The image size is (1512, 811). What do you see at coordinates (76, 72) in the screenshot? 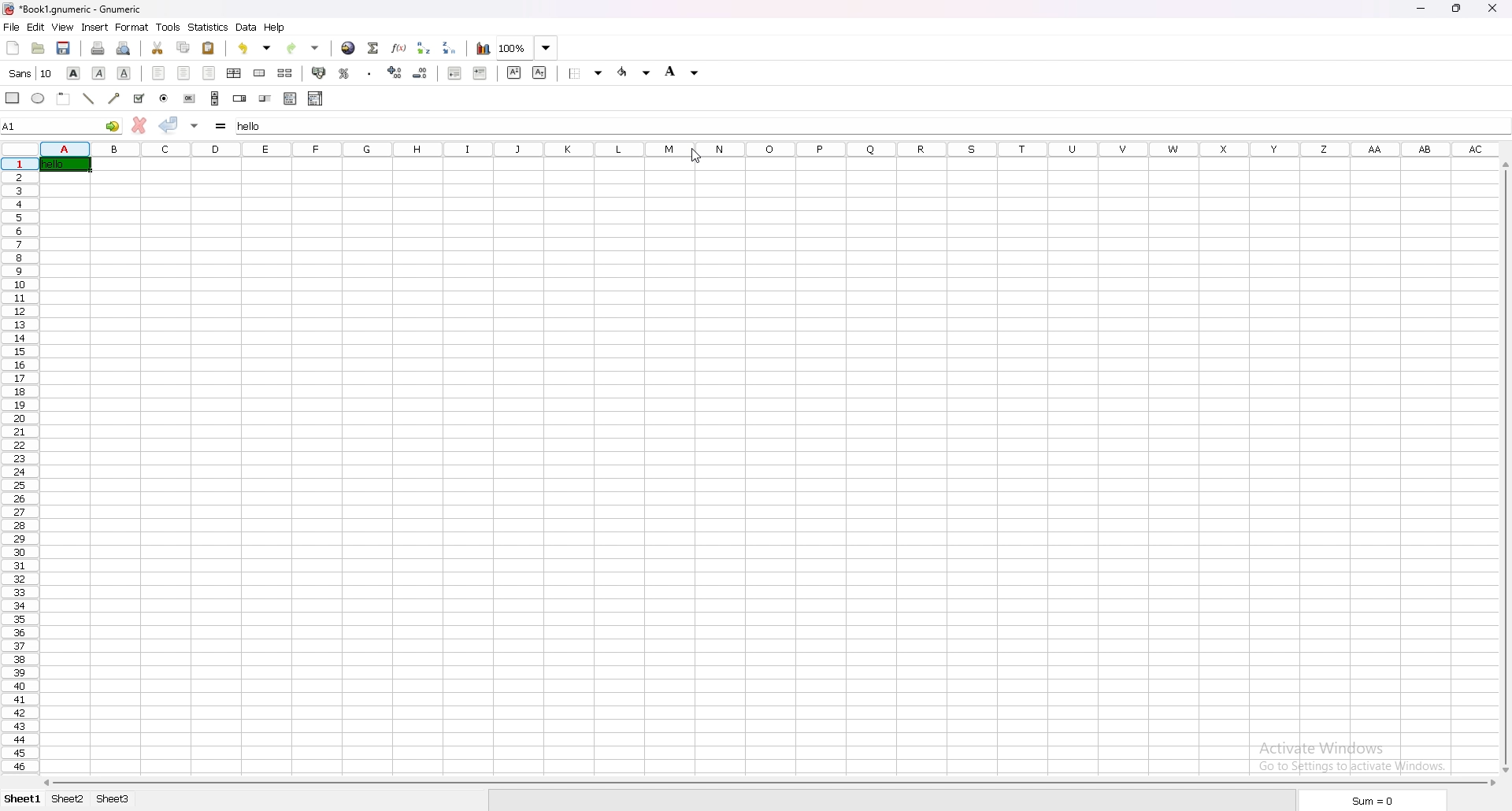
I see `bold` at bounding box center [76, 72].